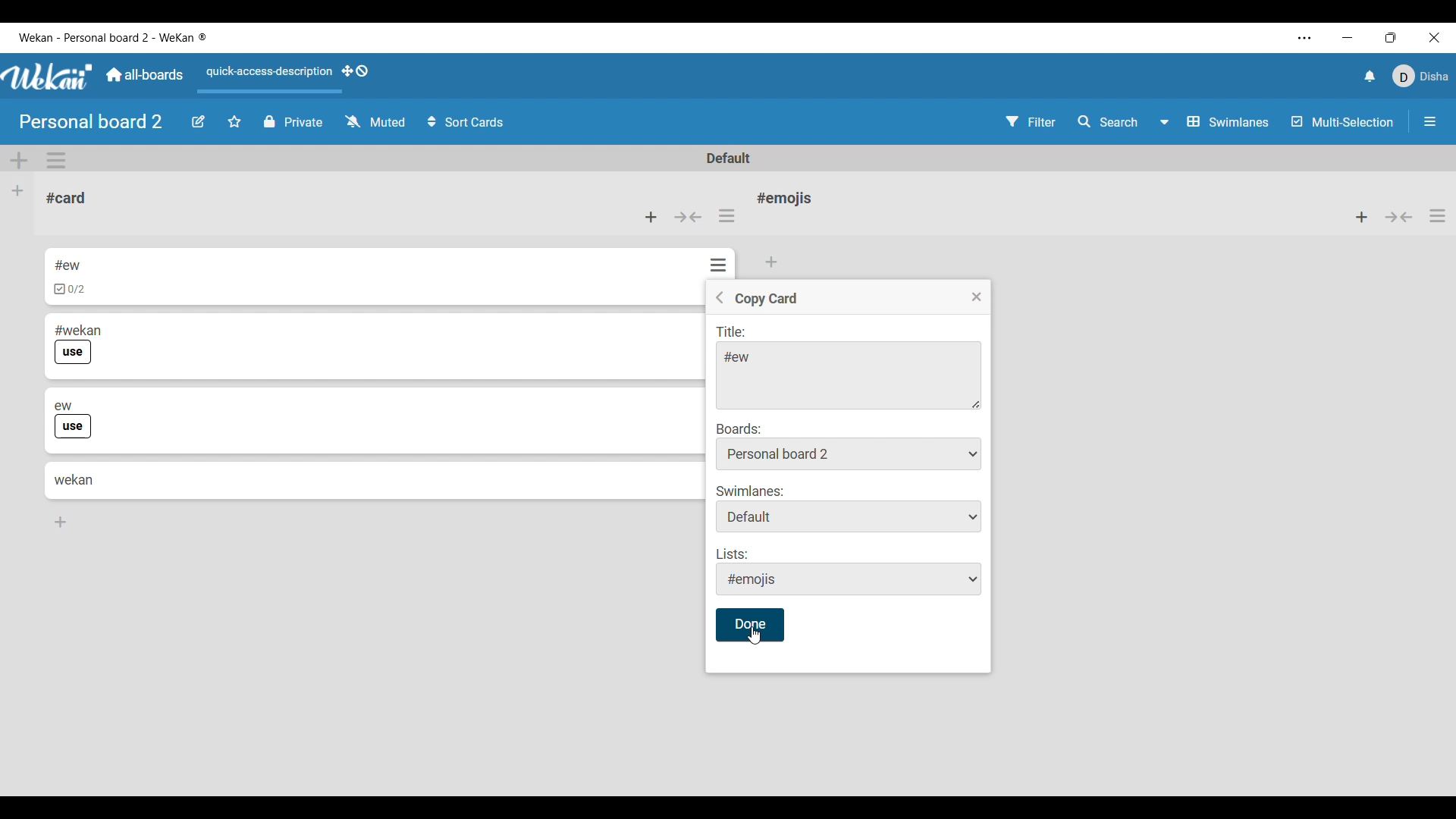  I want to click on Indicates checklist in card 1, so click(70, 290).